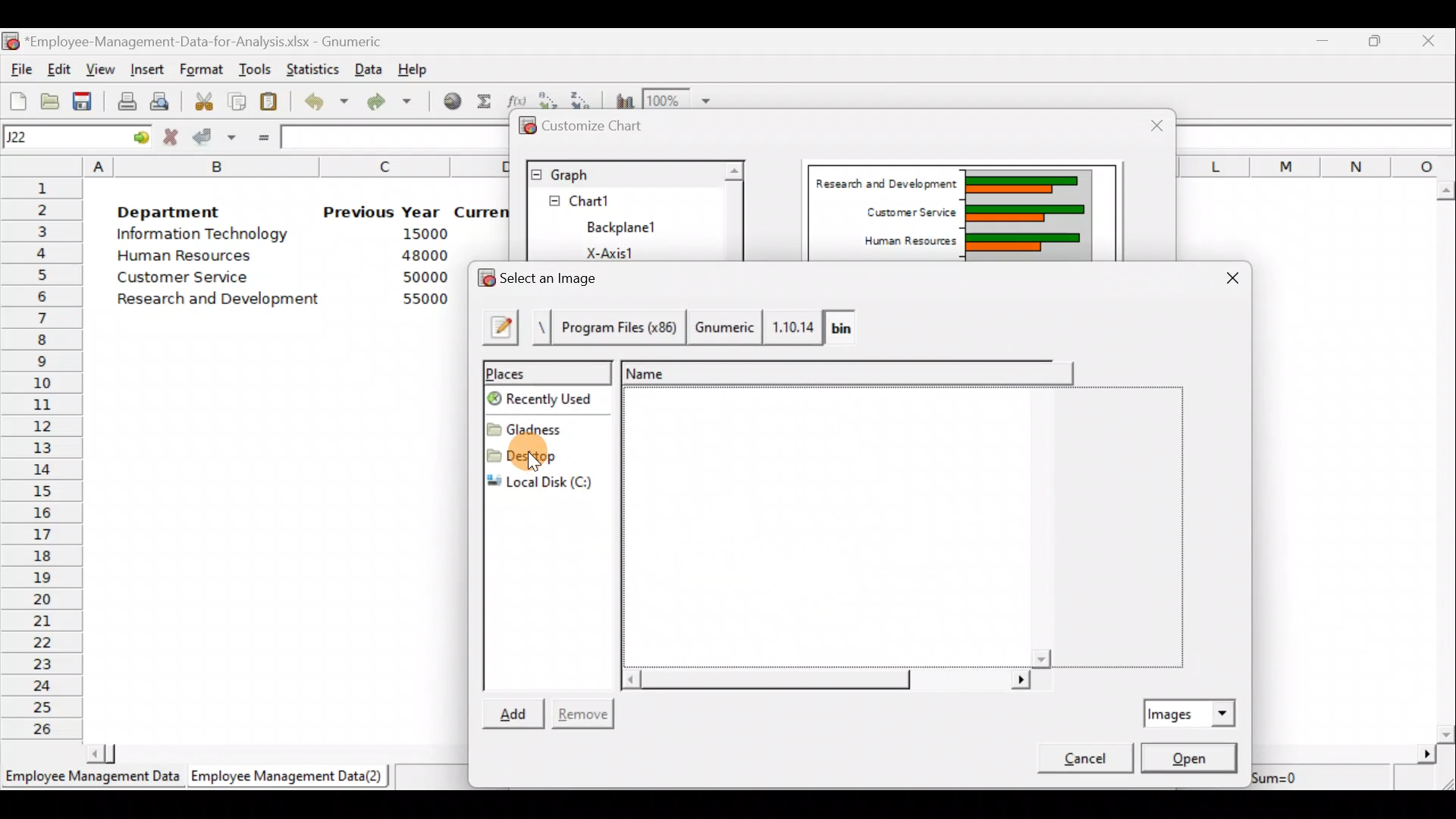 The image size is (1456, 819). Describe the element at coordinates (206, 104) in the screenshot. I see `Cut the selection` at that location.